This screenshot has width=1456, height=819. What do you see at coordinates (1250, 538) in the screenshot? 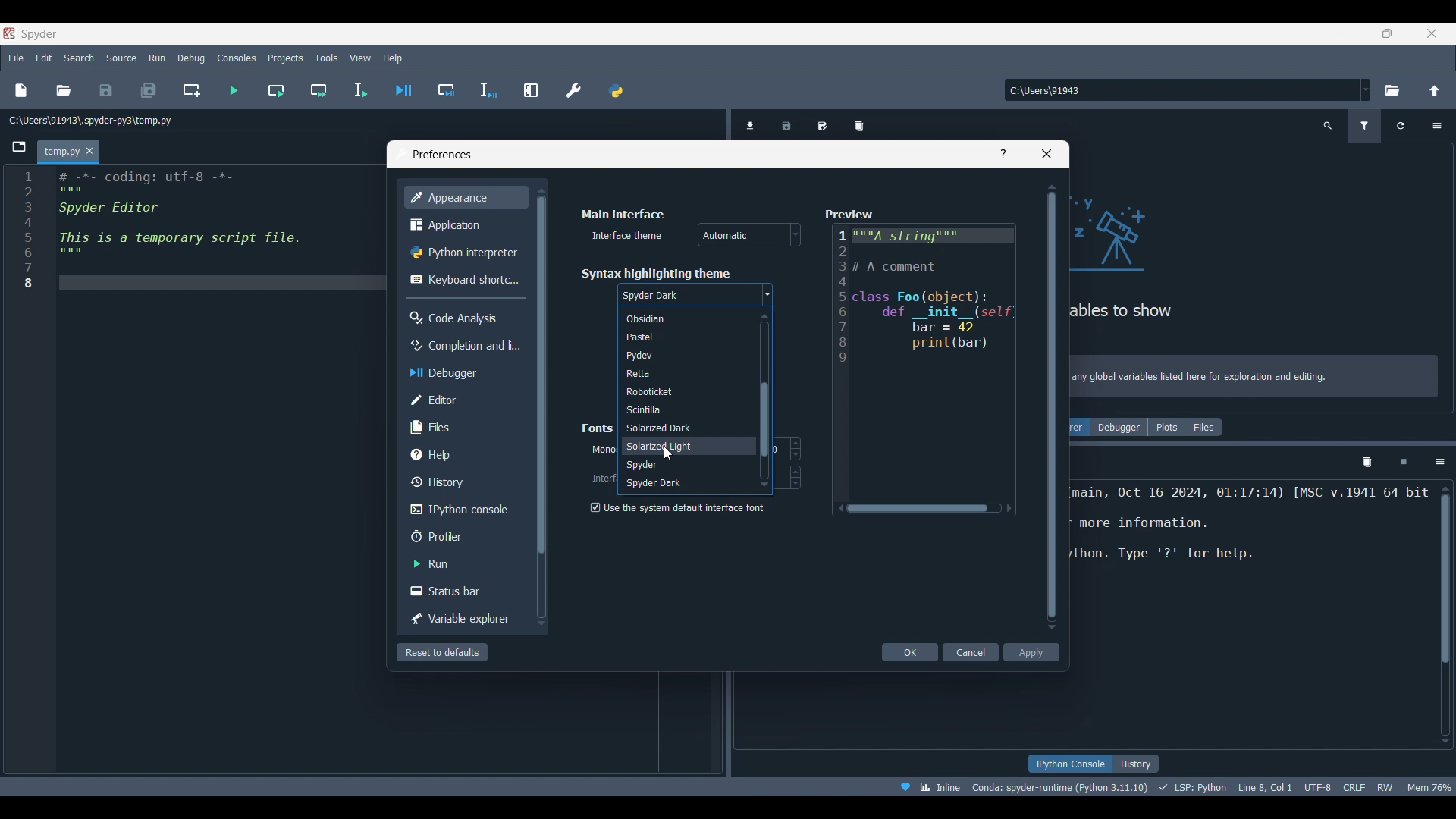
I see `ipython console pane` at bounding box center [1250, 538].